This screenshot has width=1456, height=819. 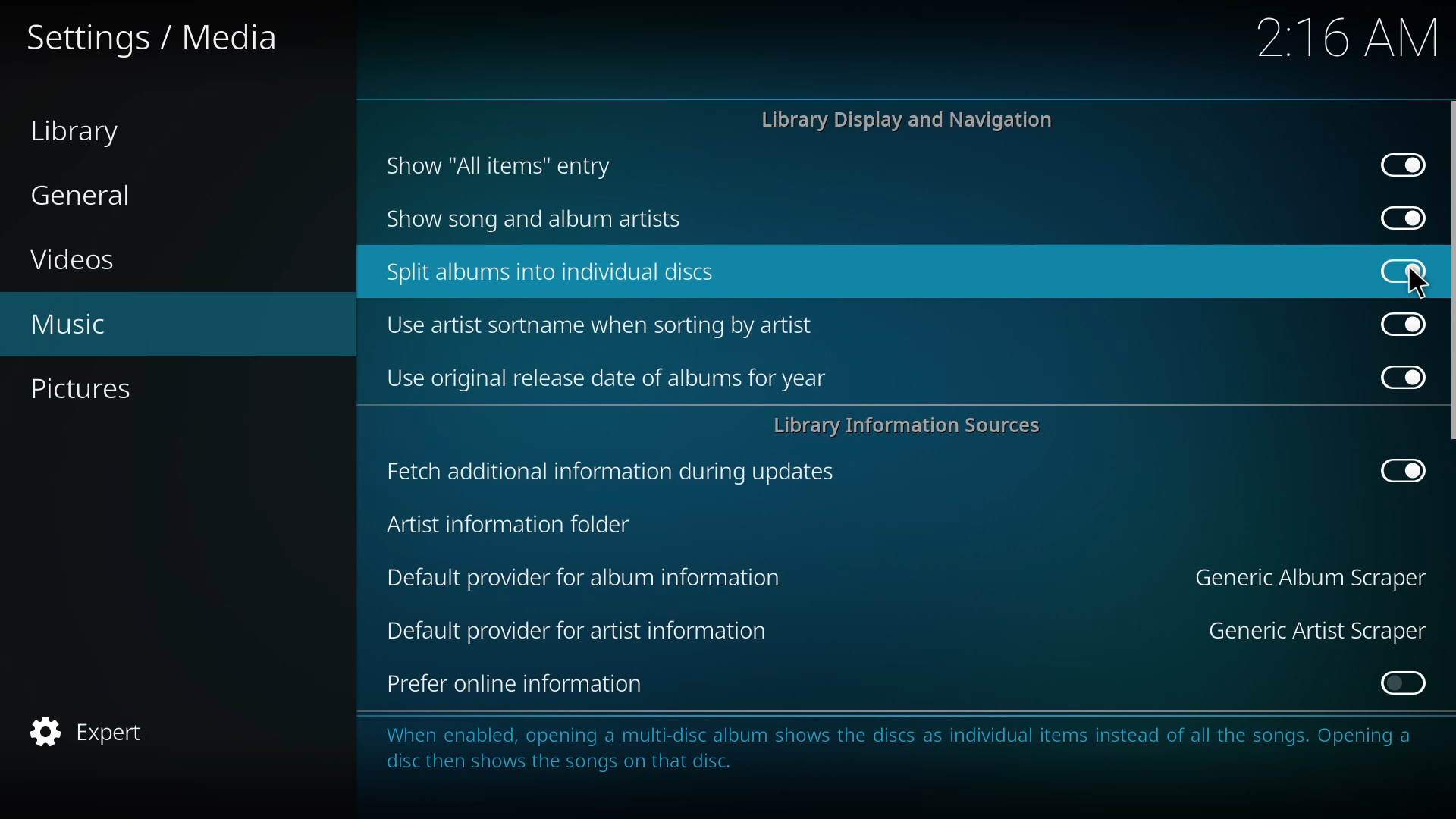 I want to click on enabled, so click(x=1402, y=470).